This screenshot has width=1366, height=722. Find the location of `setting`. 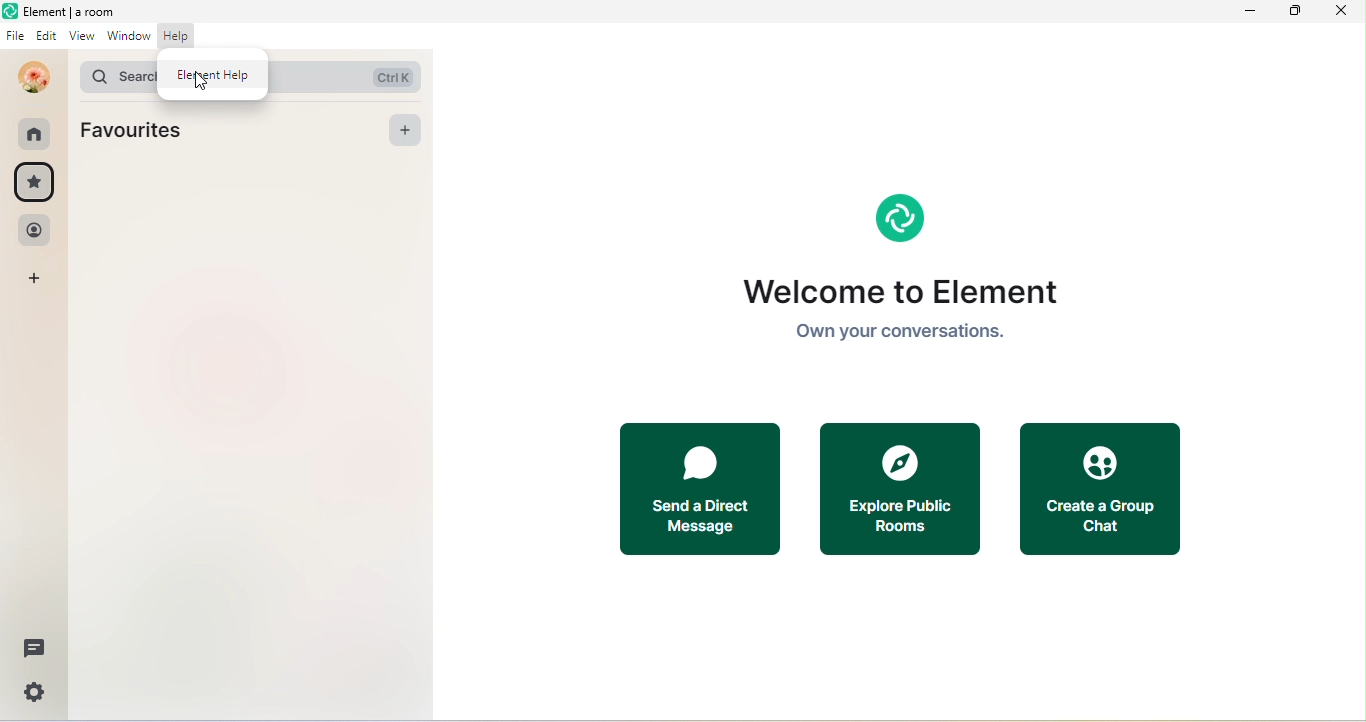

setting is located at coordinates (34, 694).